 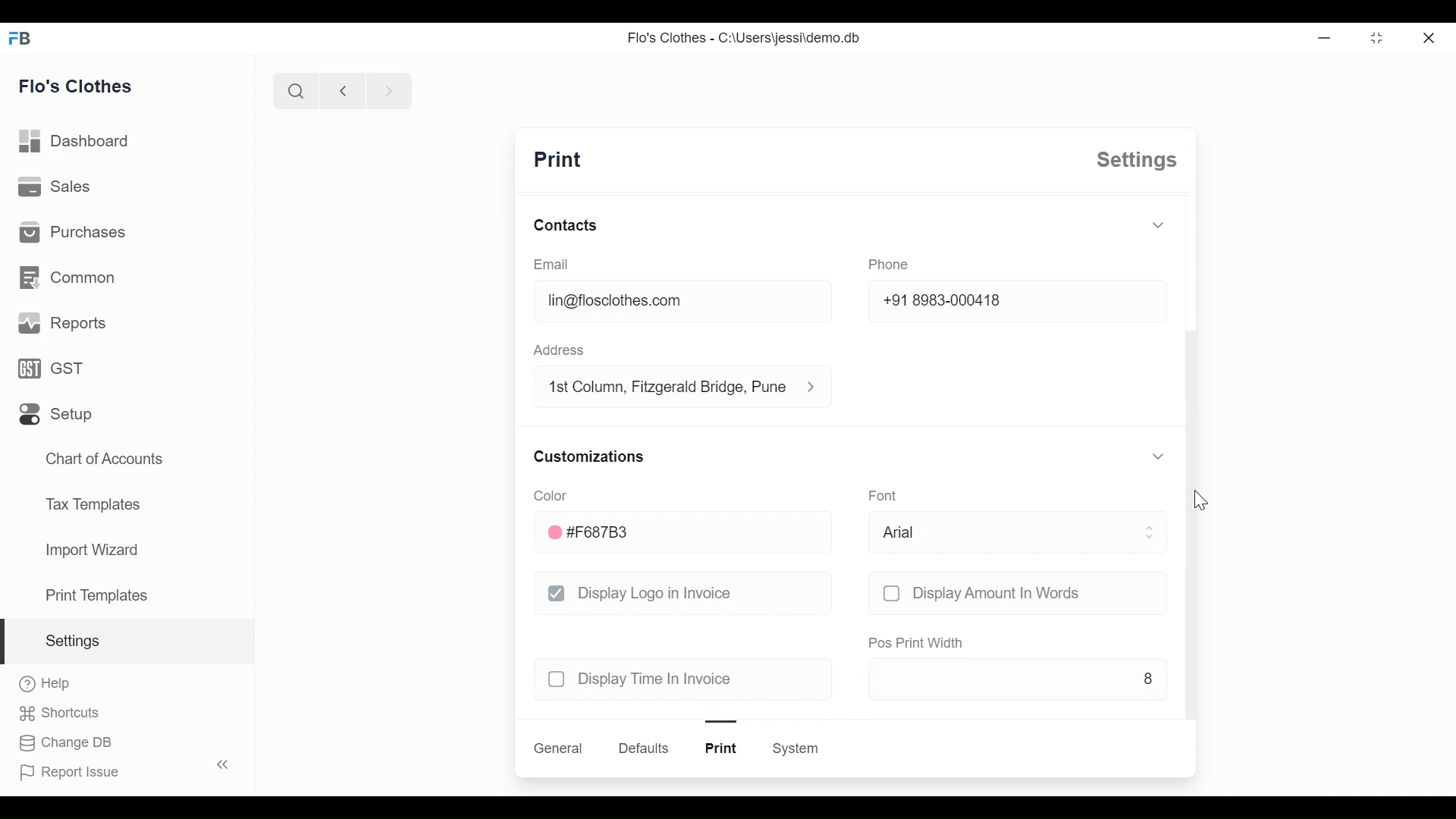 I want to click on sales, so click(x=55, y=185).